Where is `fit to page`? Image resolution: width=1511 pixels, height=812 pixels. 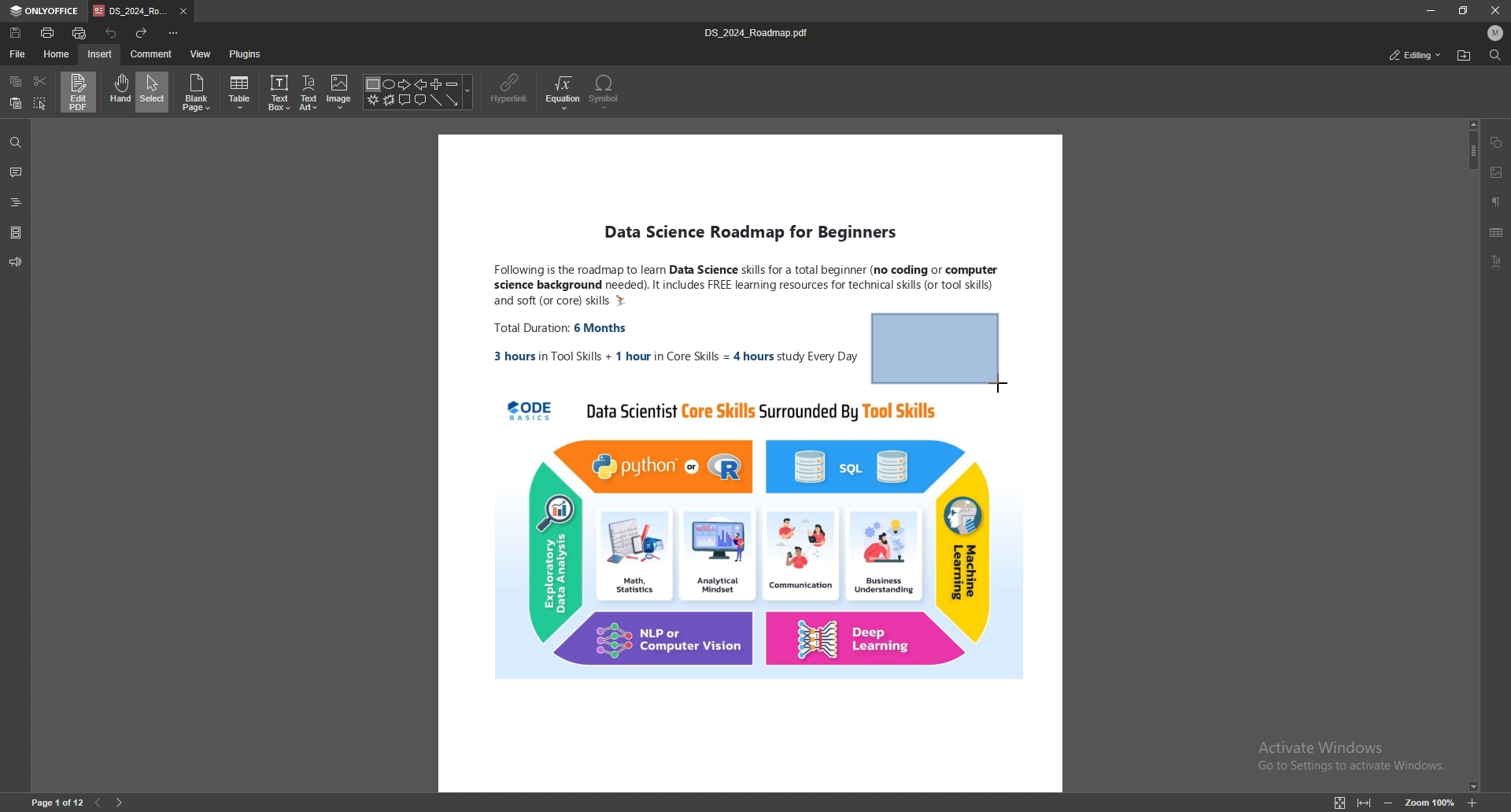 fit to page is located at coordinates (1339, 803).